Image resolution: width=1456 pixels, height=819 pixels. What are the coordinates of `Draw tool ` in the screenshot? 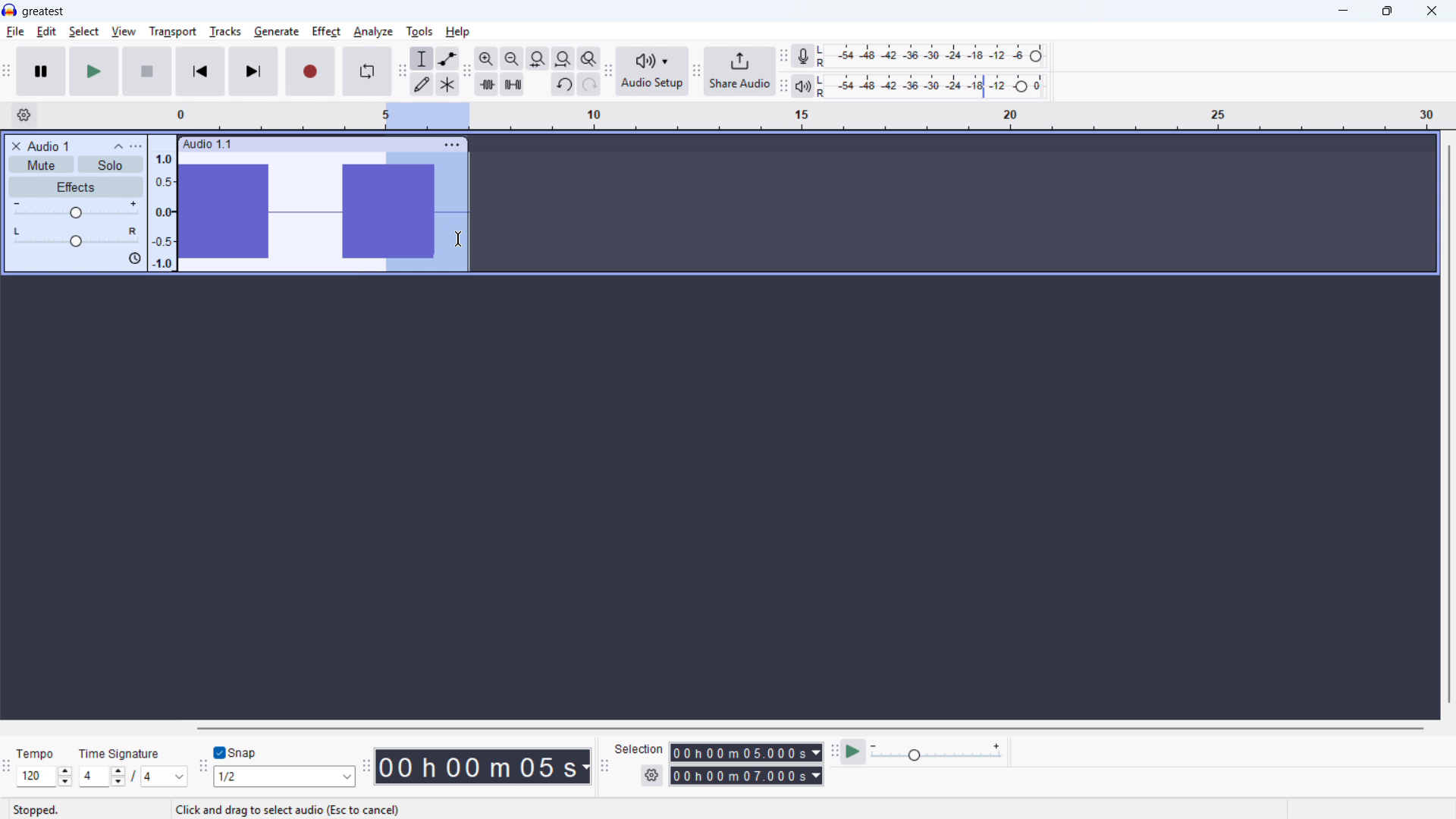 It's located at (422, 84).